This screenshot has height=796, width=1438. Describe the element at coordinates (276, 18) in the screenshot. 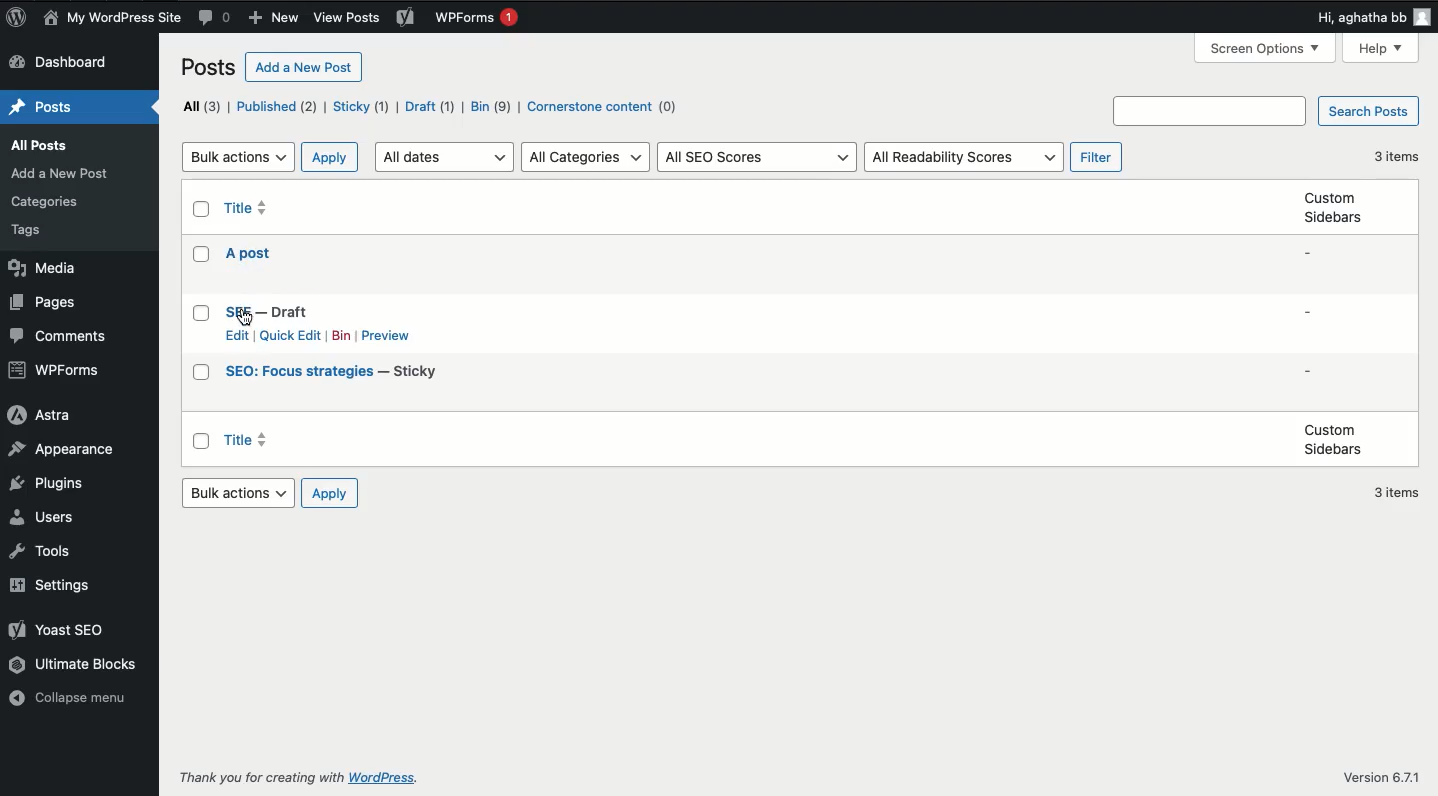

I see `New` at that location.